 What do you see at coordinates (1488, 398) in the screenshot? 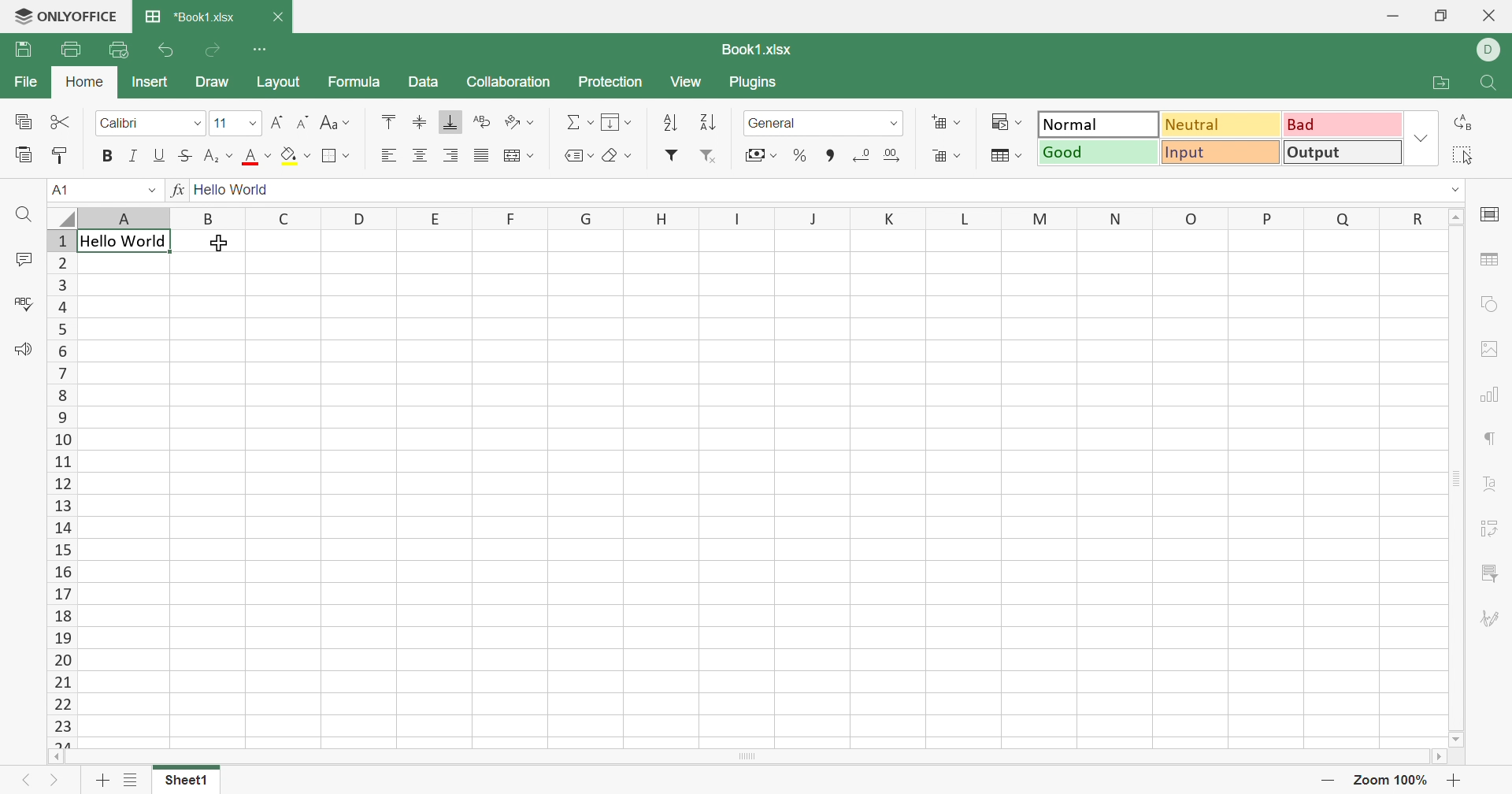
I see `Chart settings` at bounding box center [1488, 398].